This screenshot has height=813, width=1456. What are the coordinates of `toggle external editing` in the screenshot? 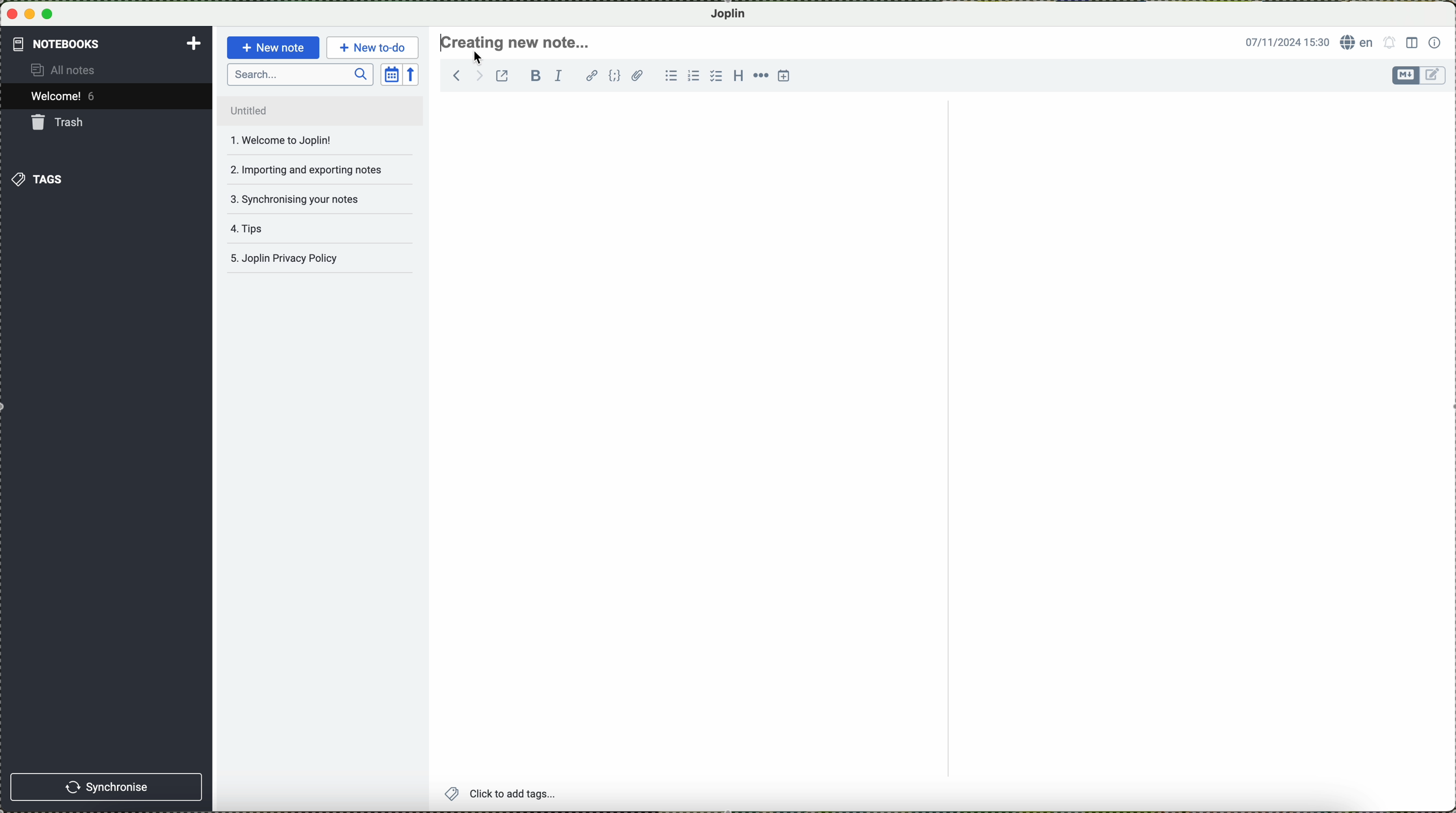 It's located at (502, 75).